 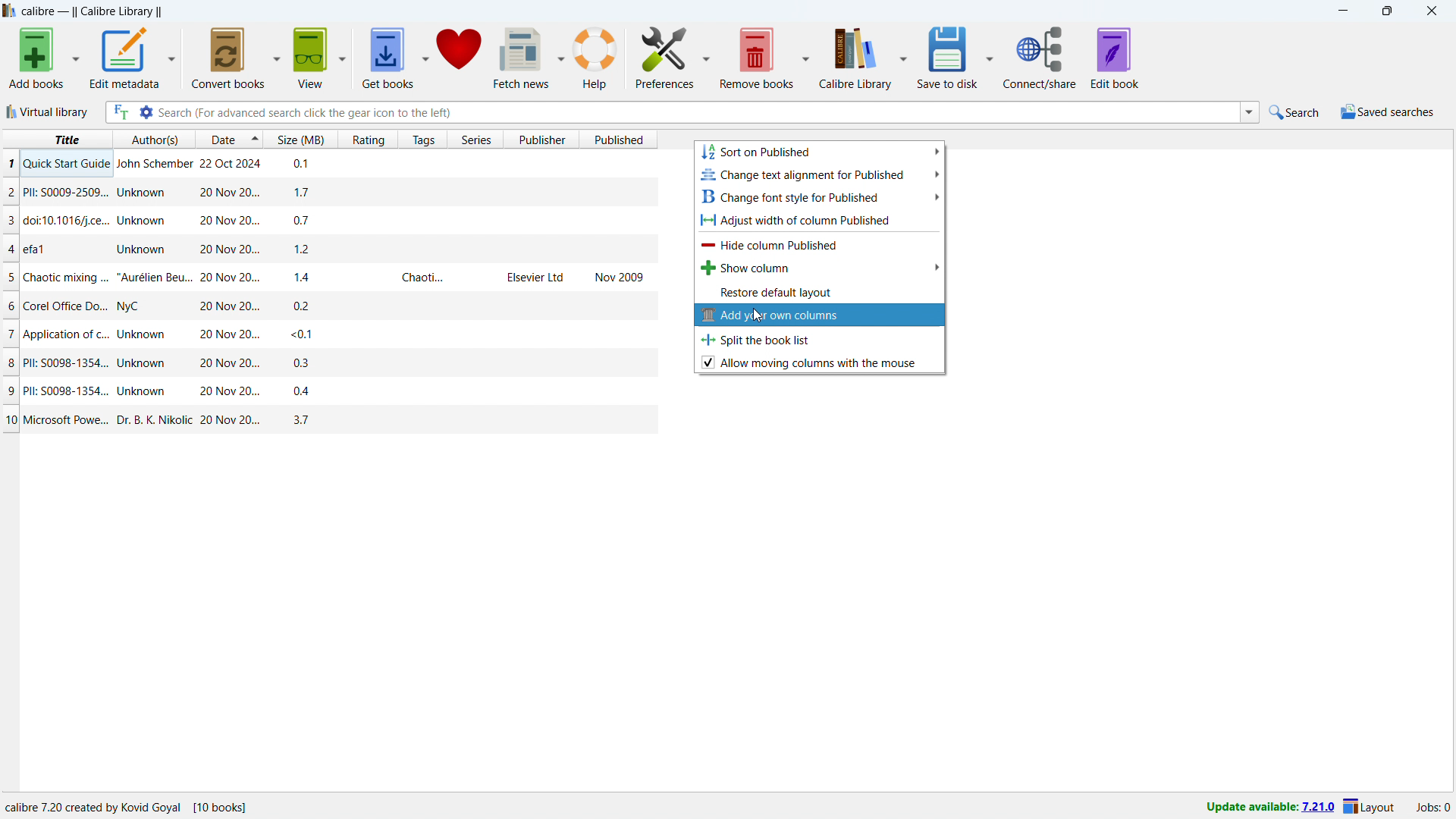 What do you see at coordinates (310, 58) in the screenshot?
I see `view` at bounding box center [310, 58].